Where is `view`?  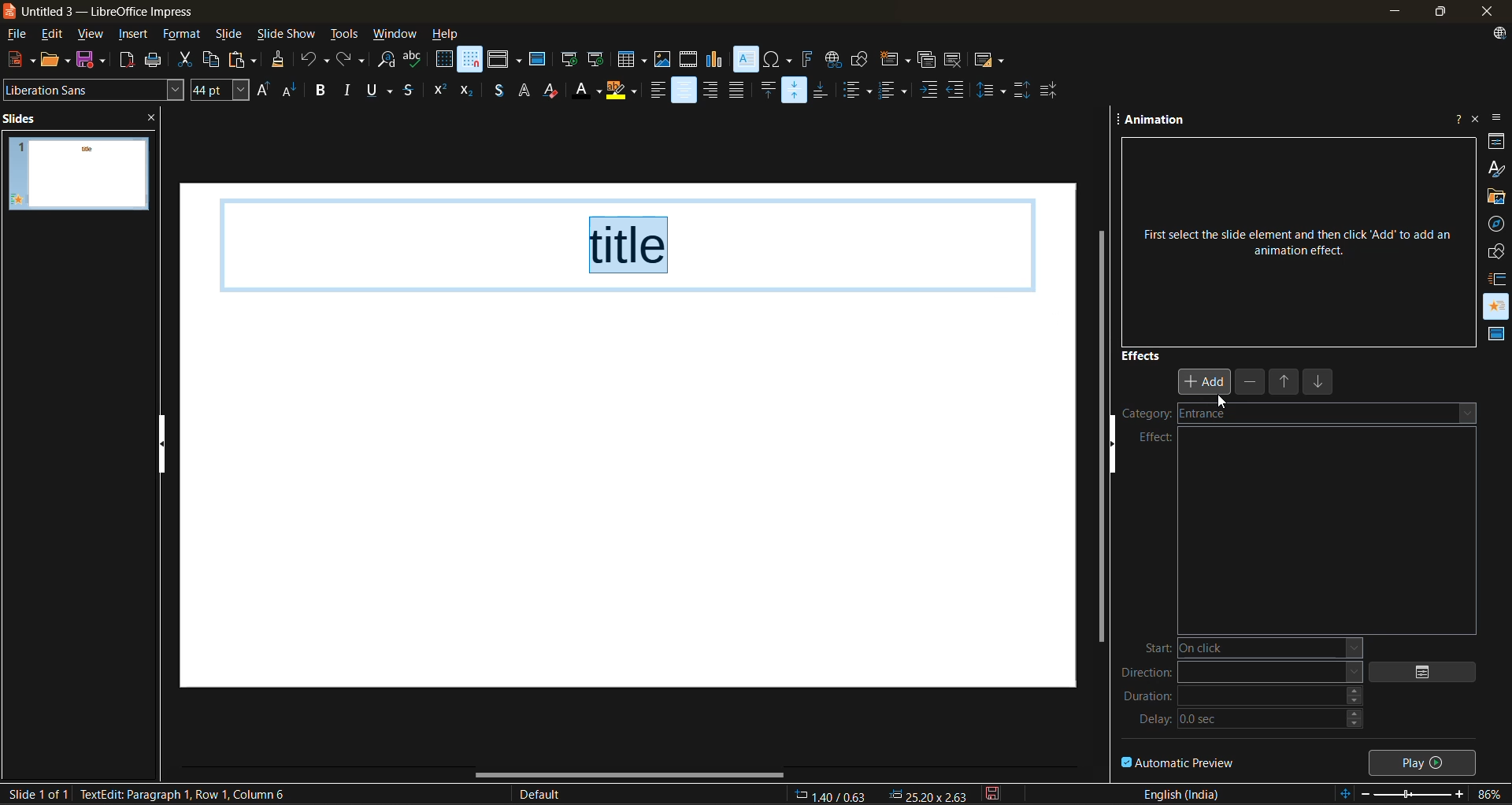
view is located at coordinates (94, 35).